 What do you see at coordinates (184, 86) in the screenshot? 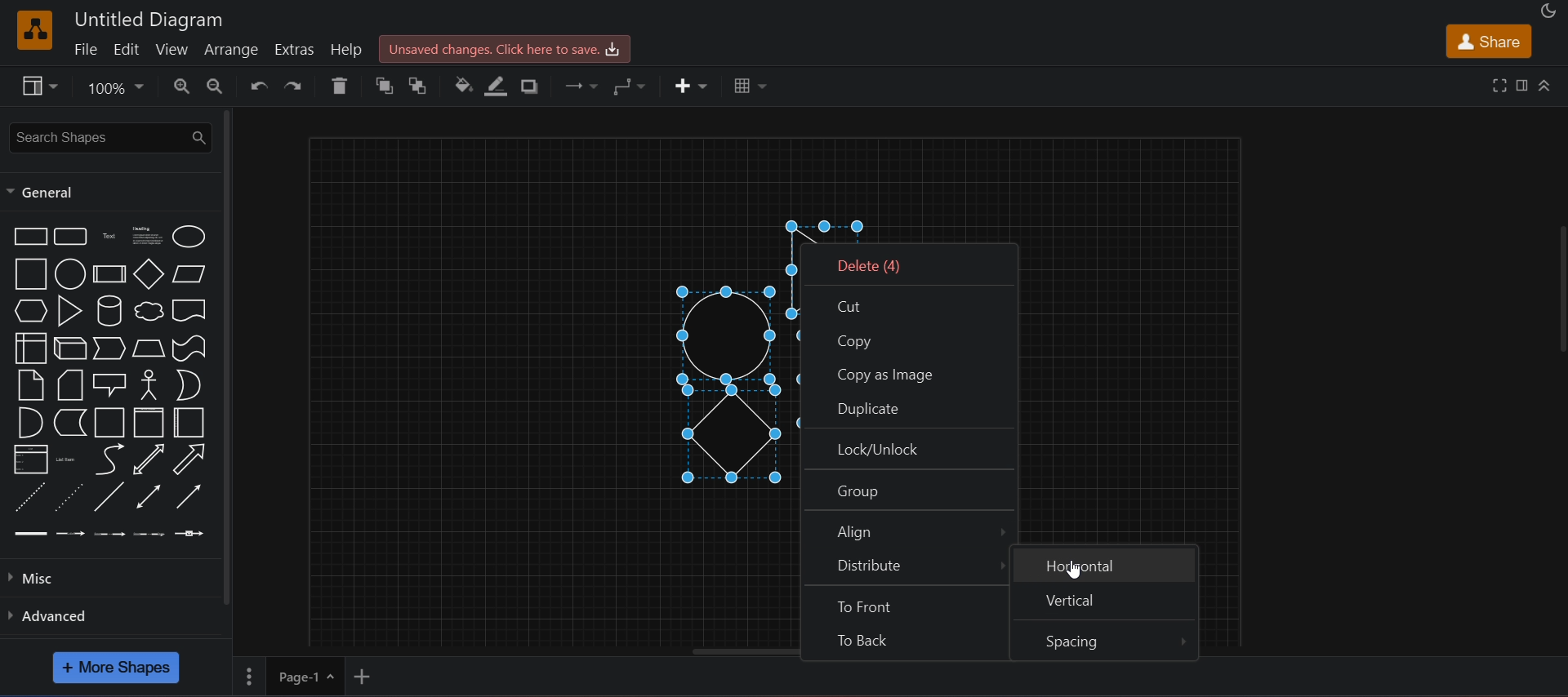
I see `zoom in` at bounding box center [184, 86].